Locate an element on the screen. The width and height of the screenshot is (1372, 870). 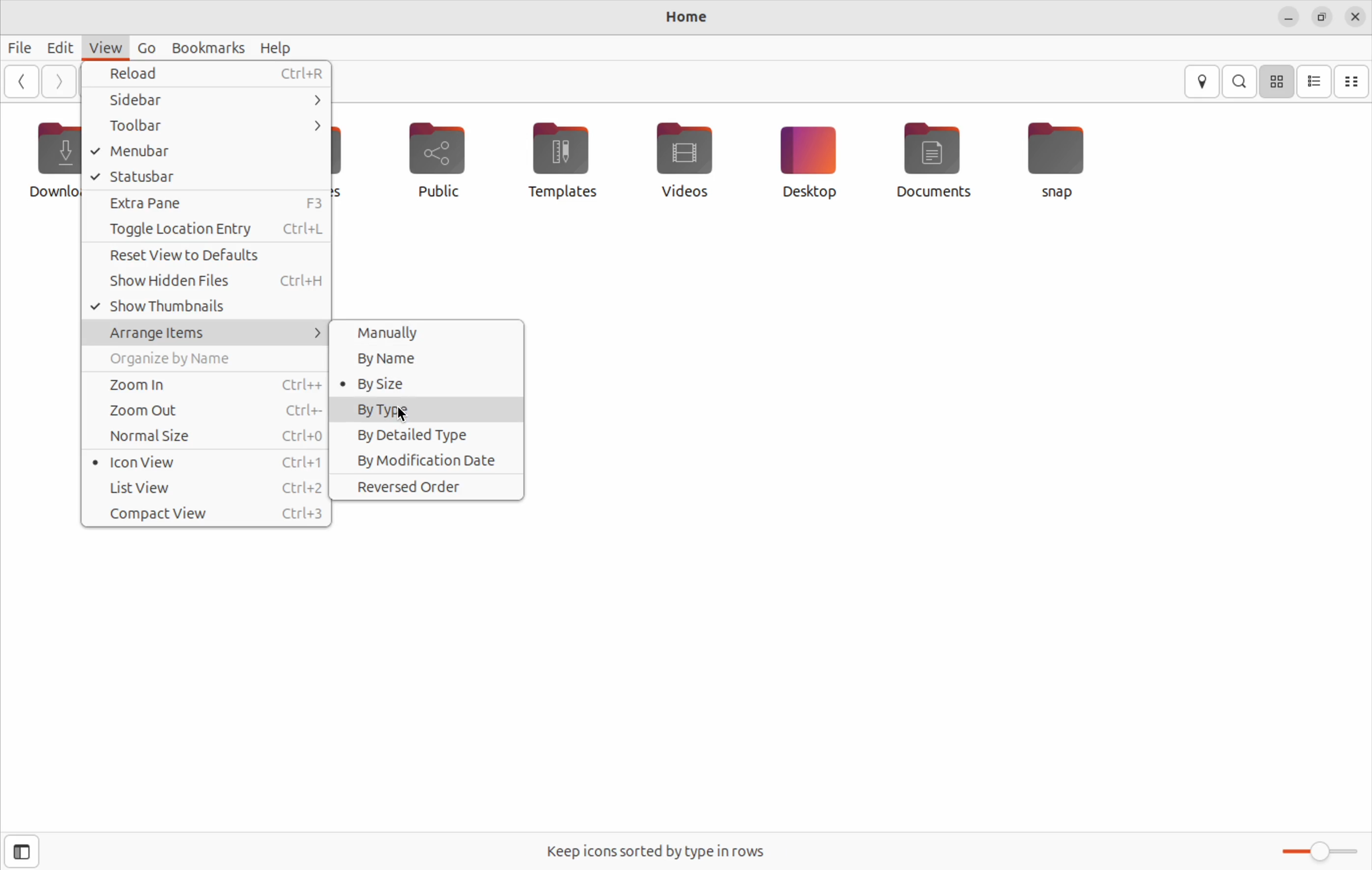
toolbar is located at coordinates (203, 127).